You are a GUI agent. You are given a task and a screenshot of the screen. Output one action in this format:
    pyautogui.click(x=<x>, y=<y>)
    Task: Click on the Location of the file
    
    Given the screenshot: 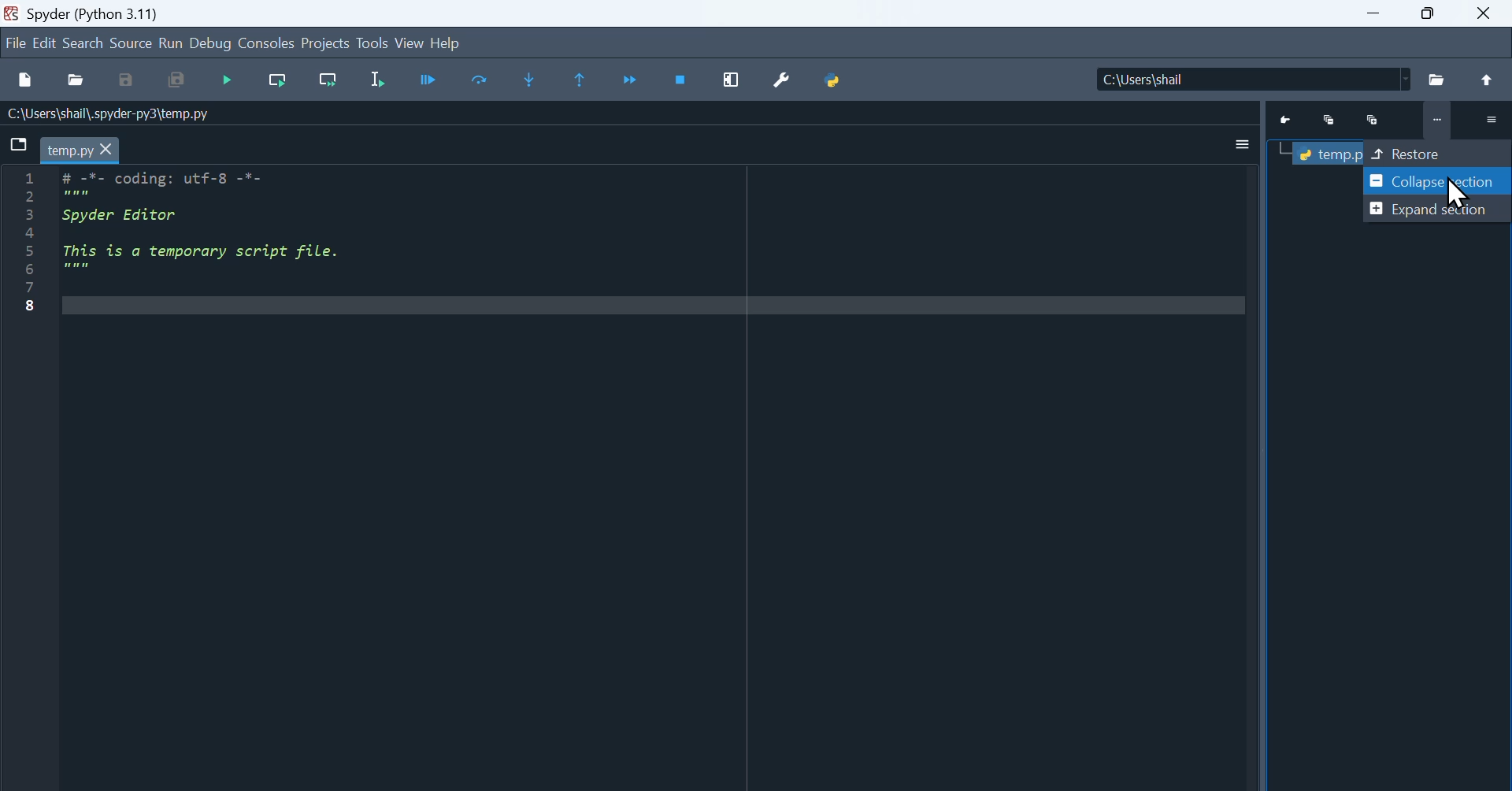 What is the action you would take?
    pyautogui.click(x=1258, y=79)
    